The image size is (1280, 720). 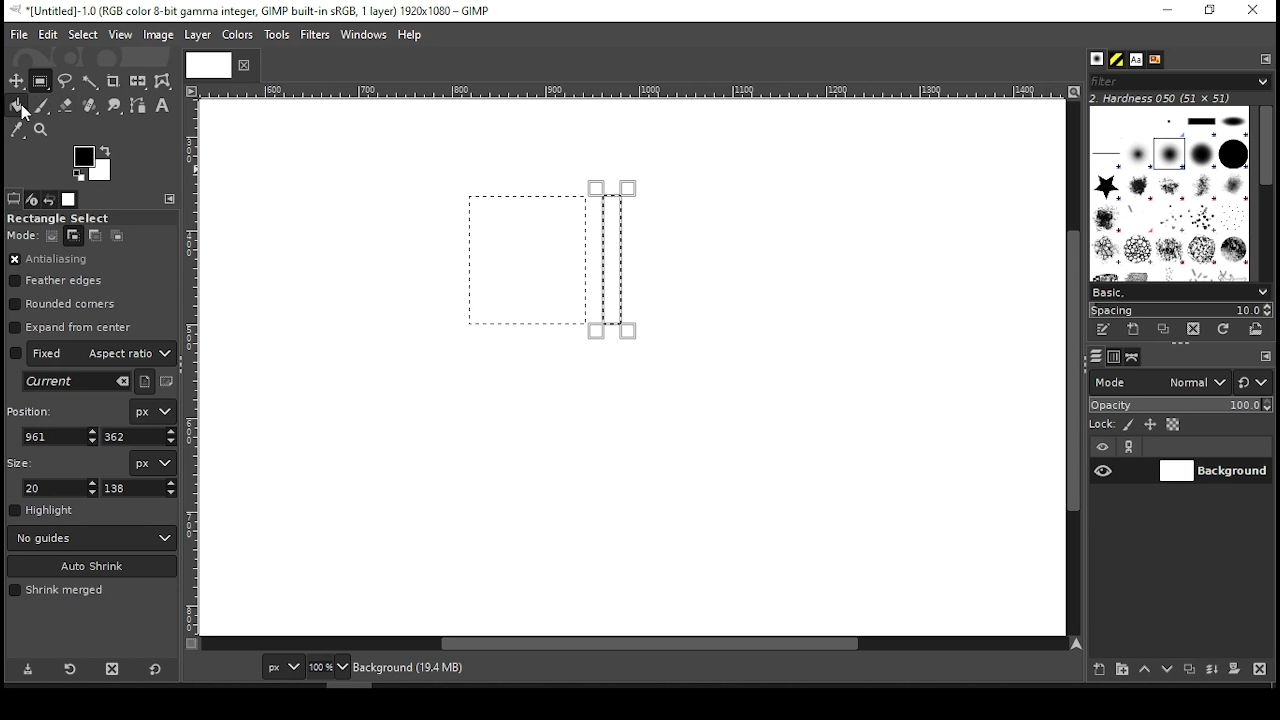 I want to click on pattern, so click(x=1117, y=60).